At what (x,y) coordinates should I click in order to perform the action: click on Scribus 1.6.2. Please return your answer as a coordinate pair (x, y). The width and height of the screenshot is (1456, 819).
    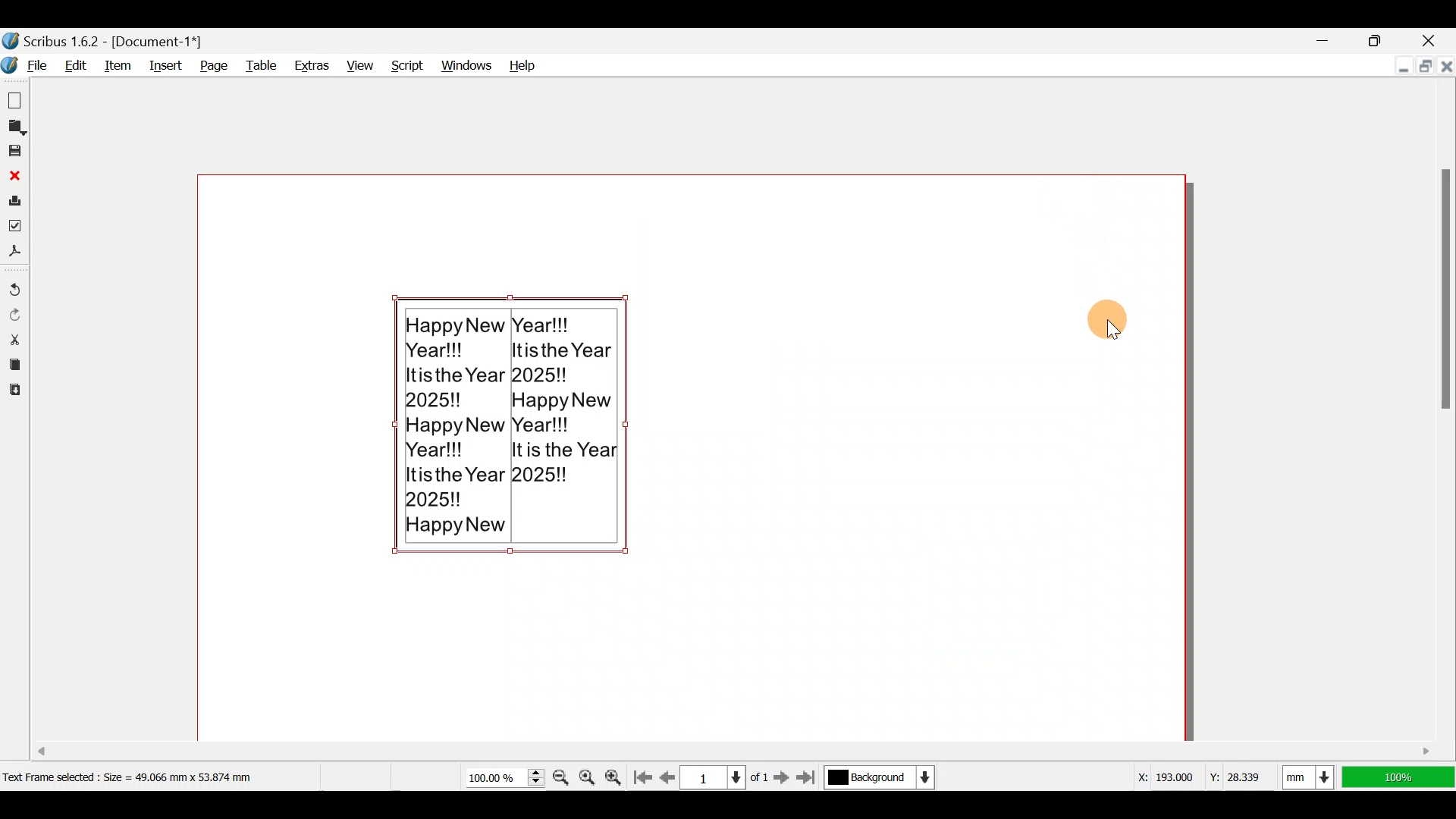
    Looking at the image, I should click on (105, 40).